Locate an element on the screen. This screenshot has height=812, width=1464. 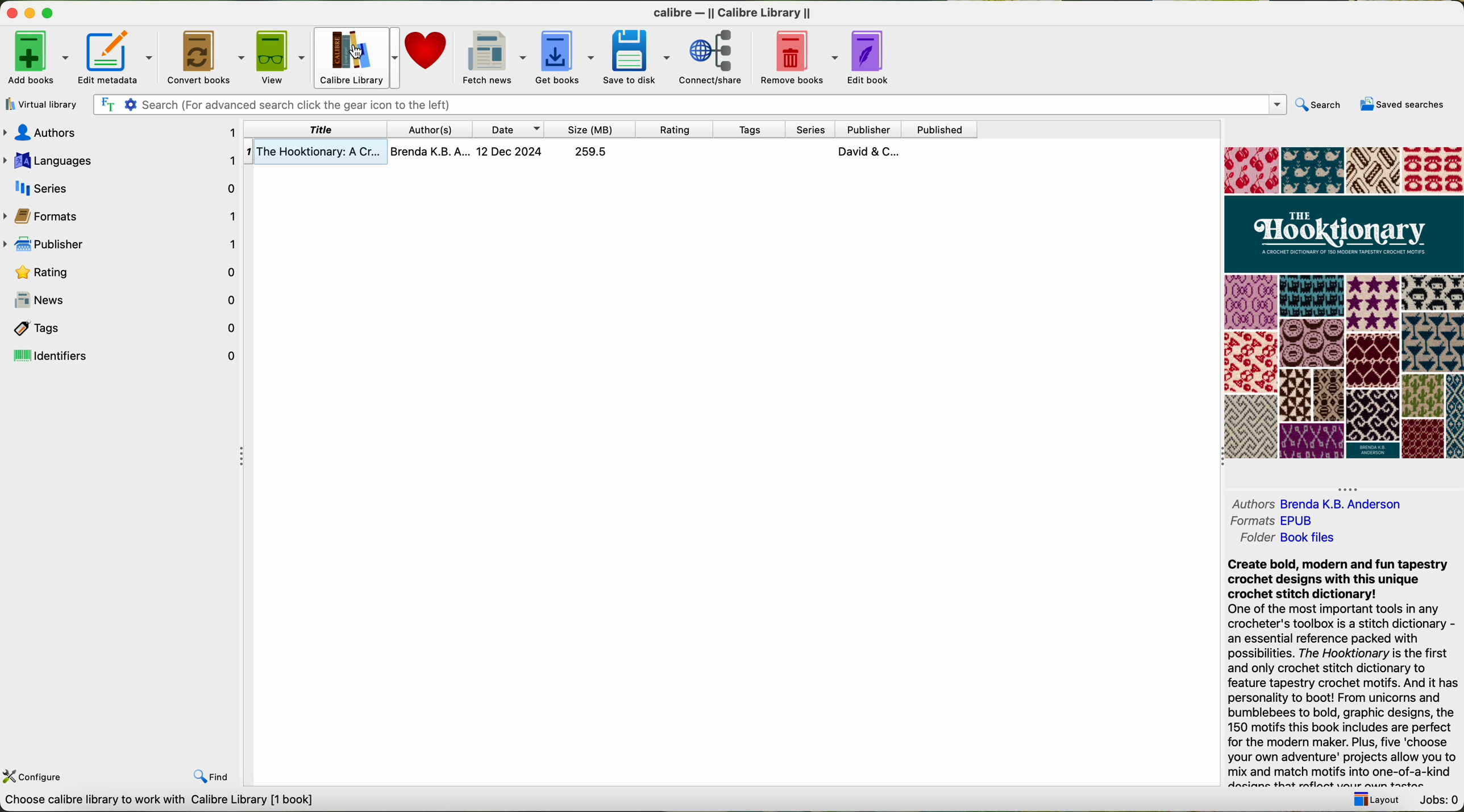
calibre — || Calibre Library || is located at coordinates (731, 11).